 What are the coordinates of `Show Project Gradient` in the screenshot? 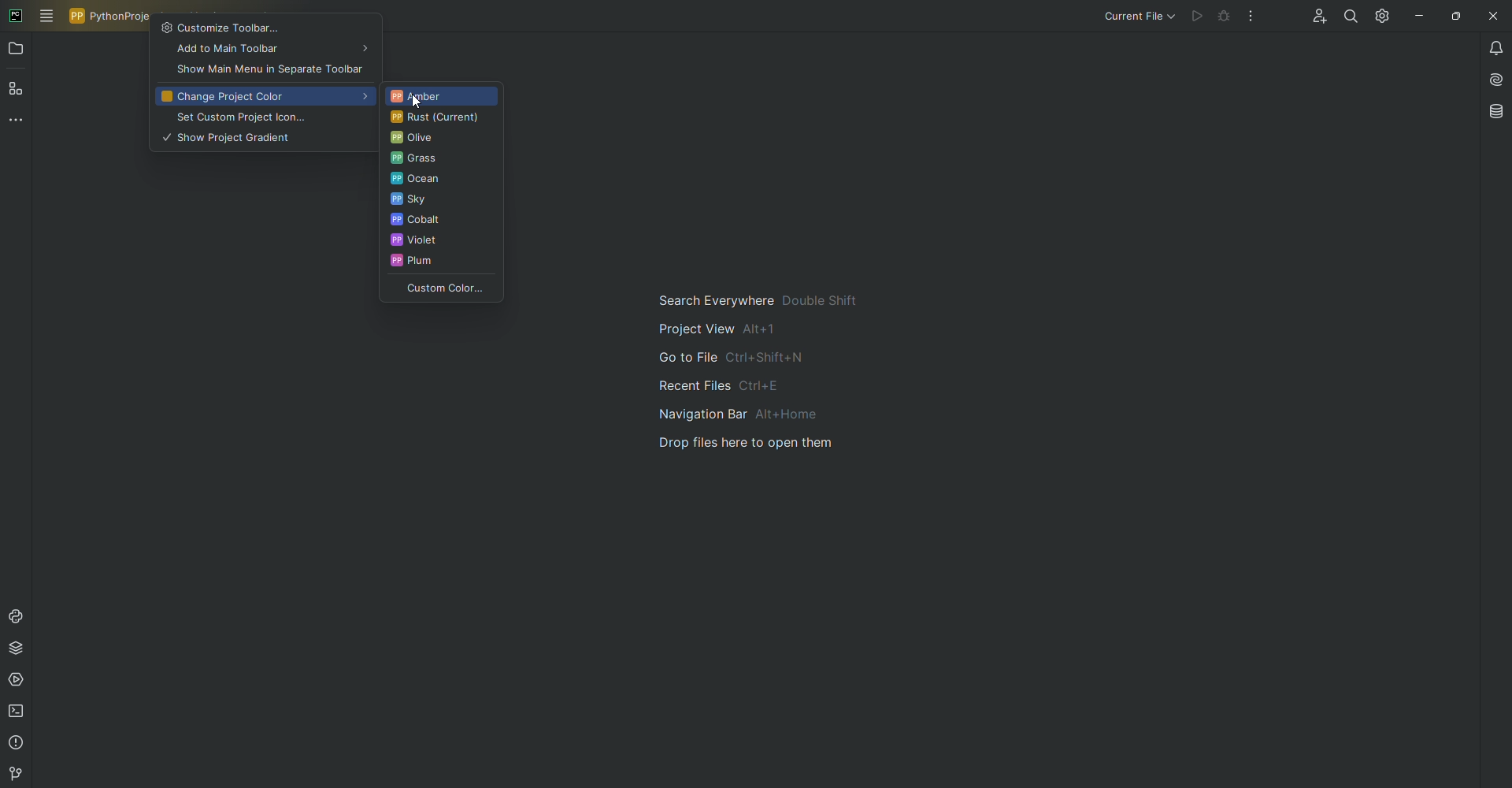 It's located at (263, 139).